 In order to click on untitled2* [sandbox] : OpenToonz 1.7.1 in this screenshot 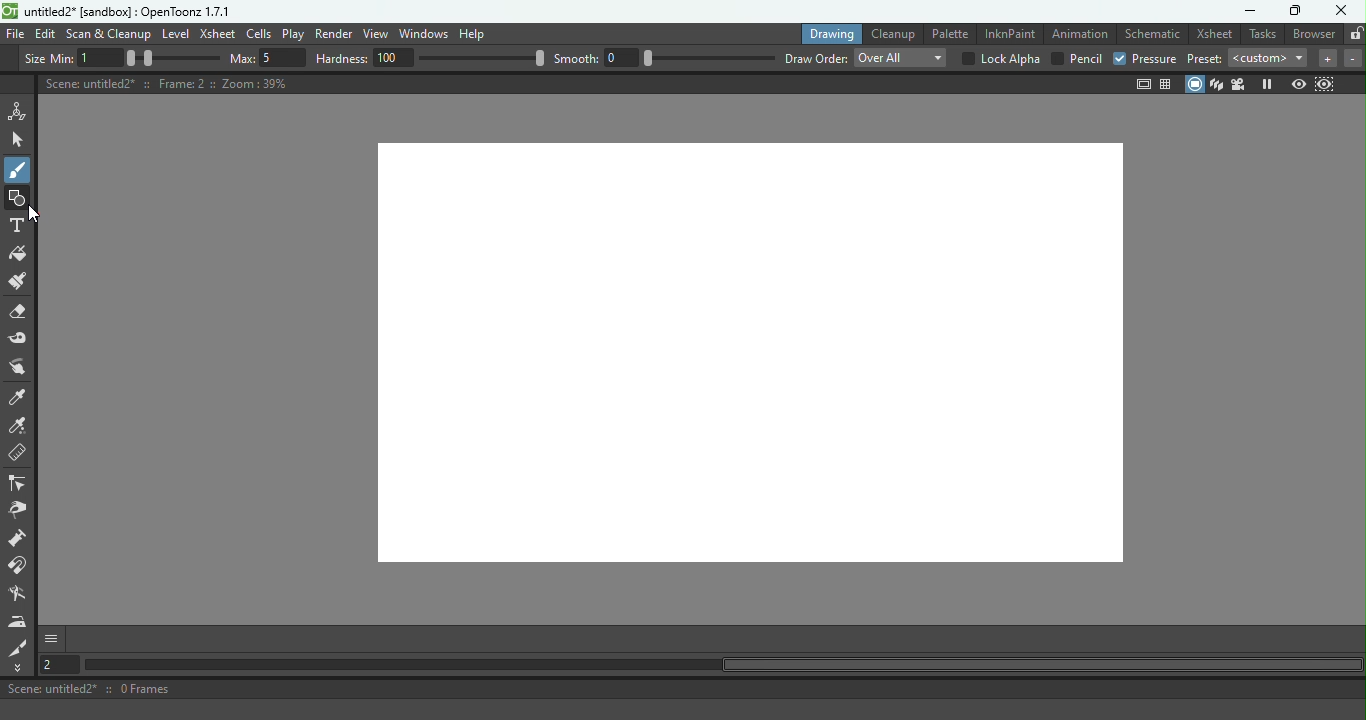, I will do `click(116, 10)`.